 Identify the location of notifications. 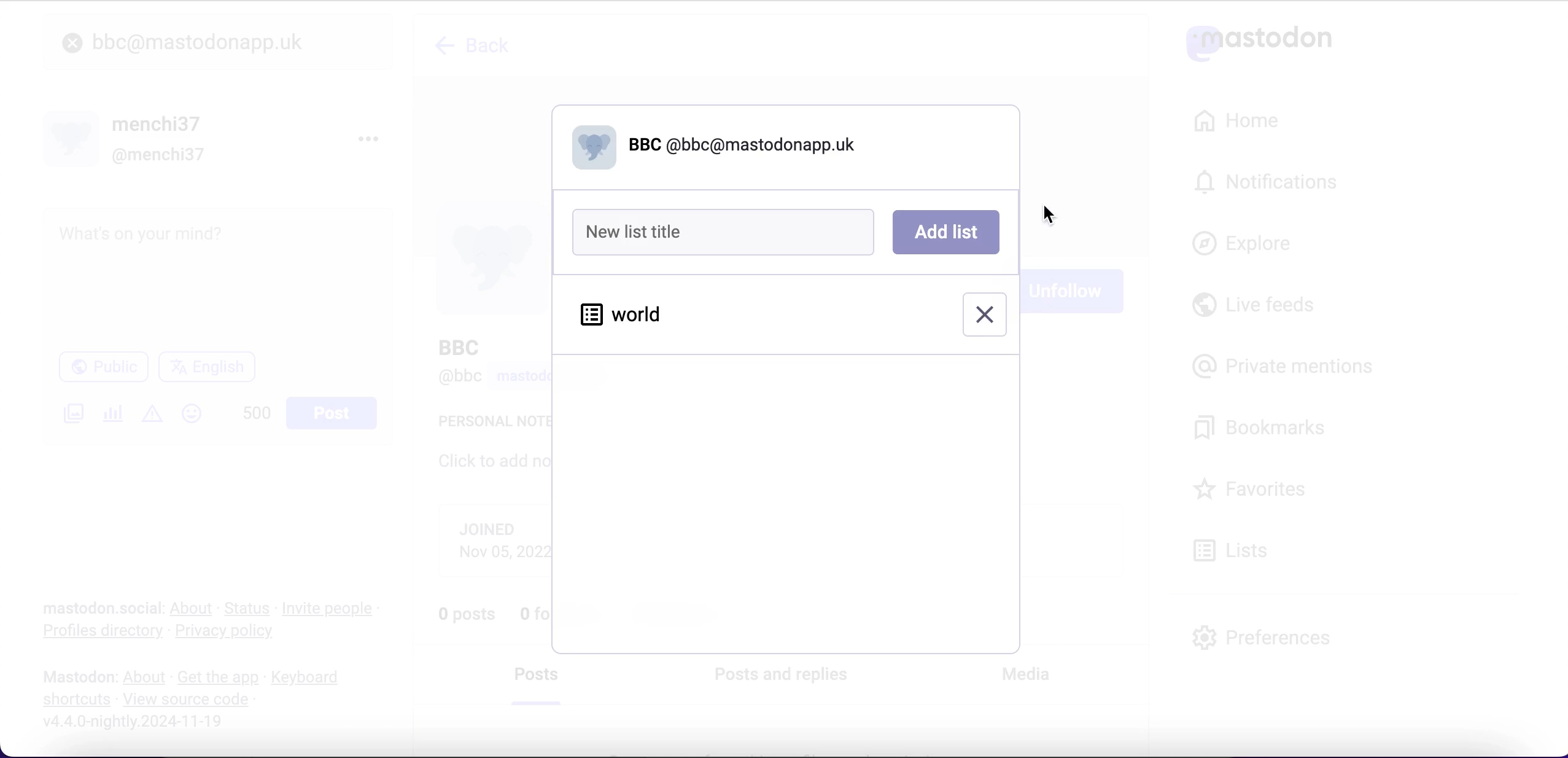
(1272, 181).